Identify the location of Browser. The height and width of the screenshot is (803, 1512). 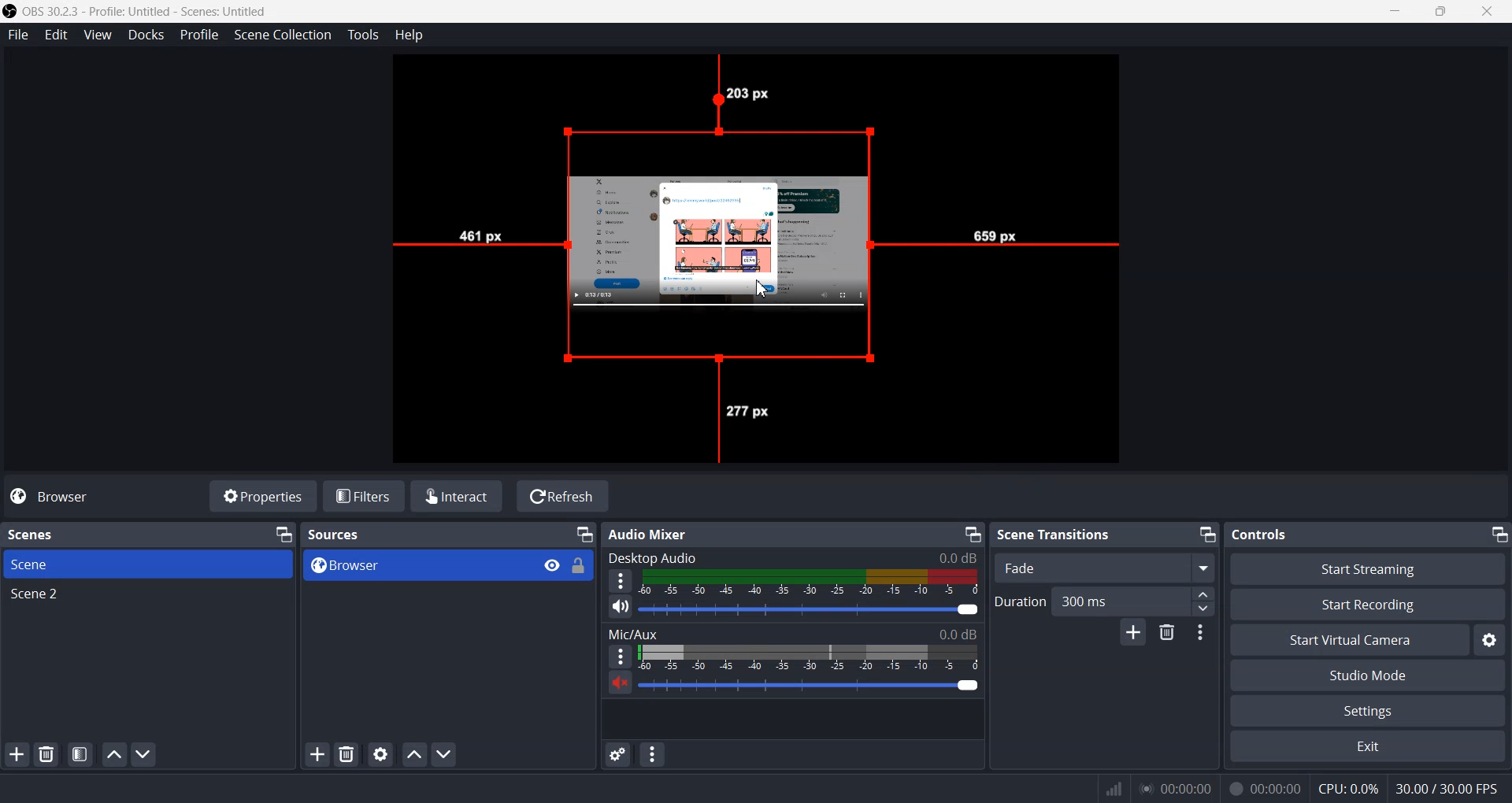
(405, 565).